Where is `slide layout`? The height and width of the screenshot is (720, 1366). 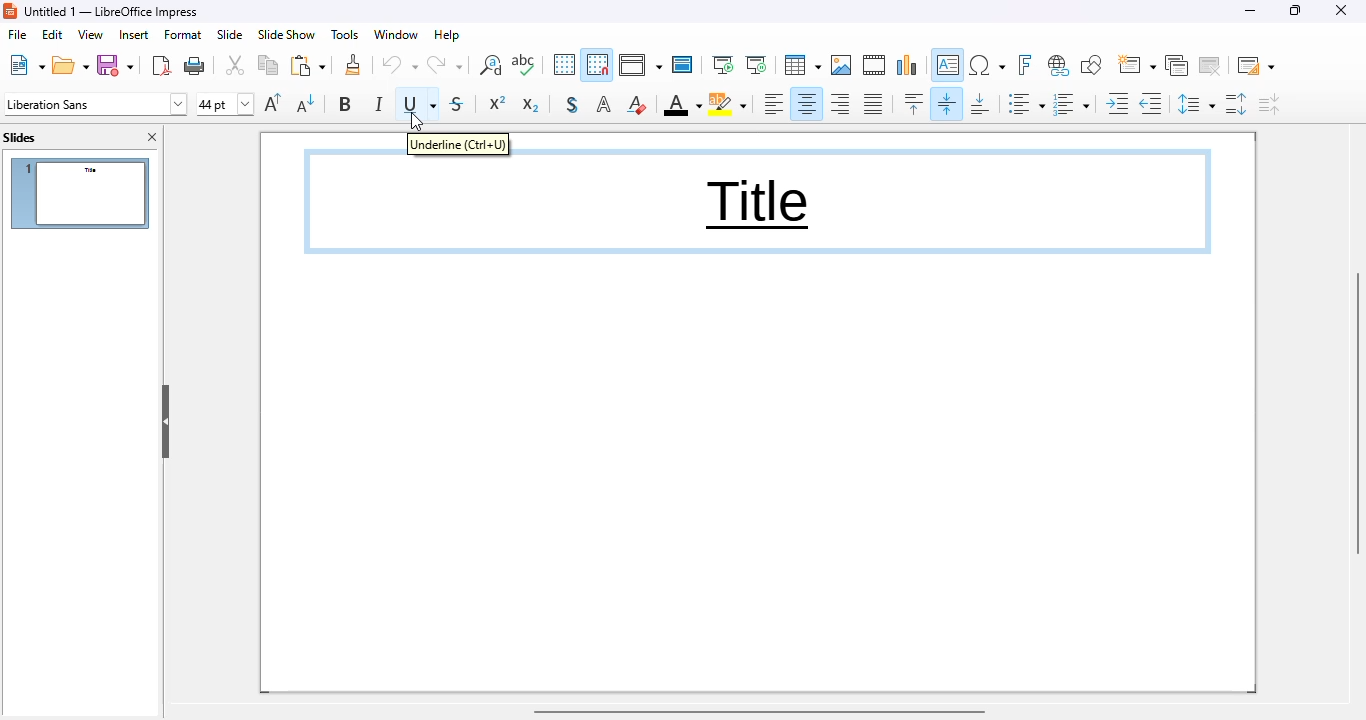
slide layout is located at coordinates (1256, 65).